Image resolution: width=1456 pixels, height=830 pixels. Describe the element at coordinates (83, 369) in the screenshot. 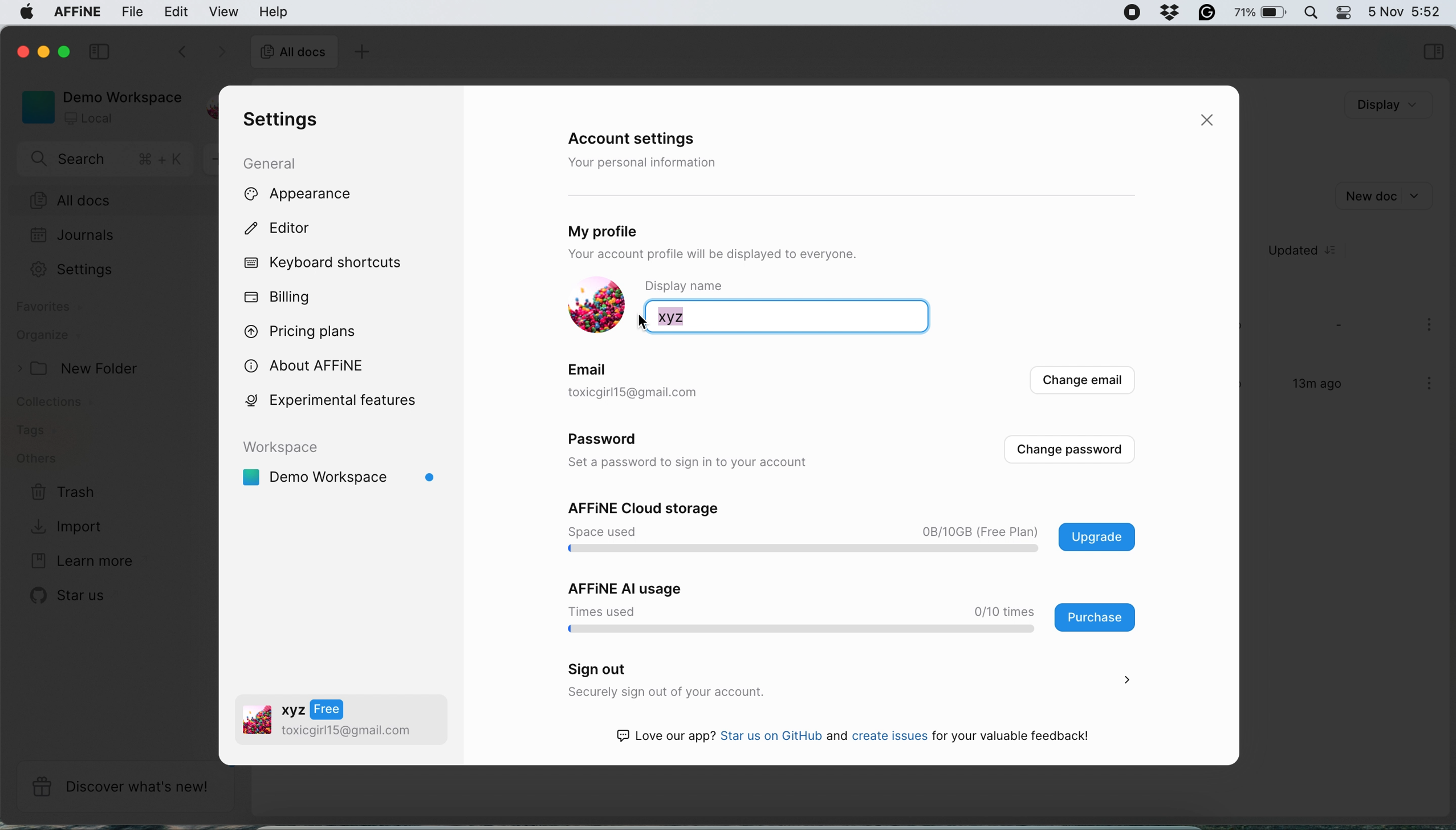

I see `new folder` at that location.